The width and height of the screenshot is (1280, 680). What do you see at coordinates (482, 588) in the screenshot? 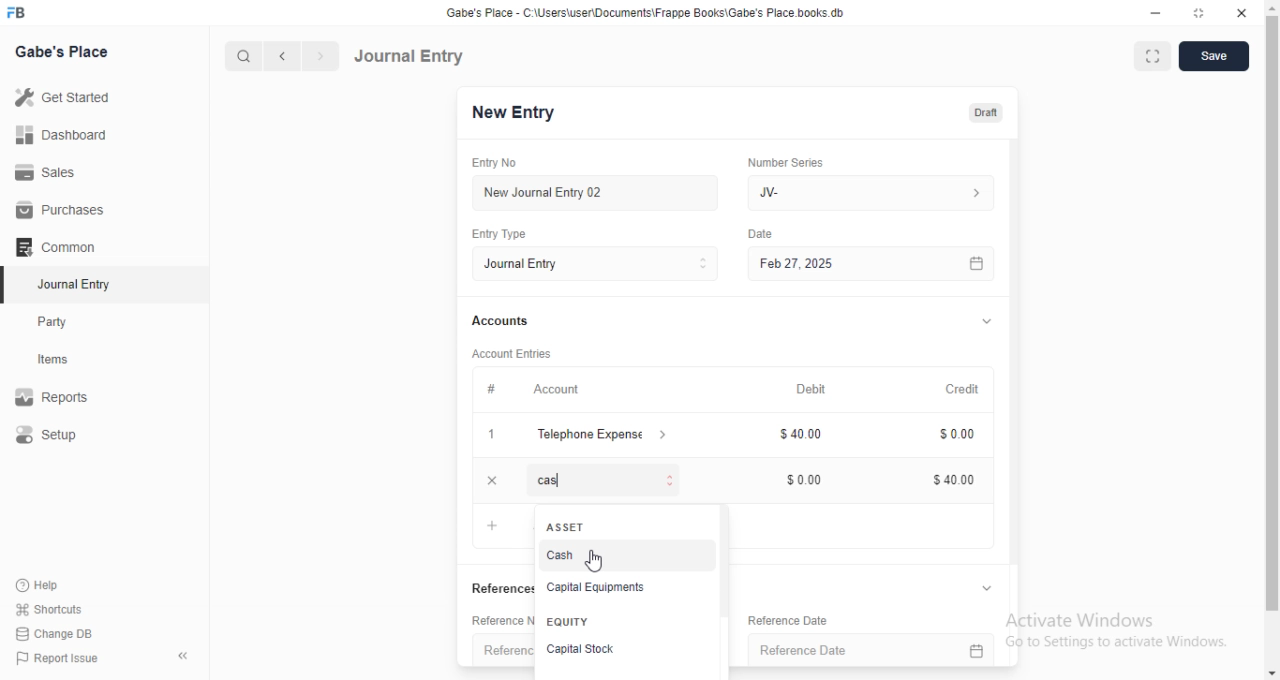
I see `References` at bounding box center [482, 588].